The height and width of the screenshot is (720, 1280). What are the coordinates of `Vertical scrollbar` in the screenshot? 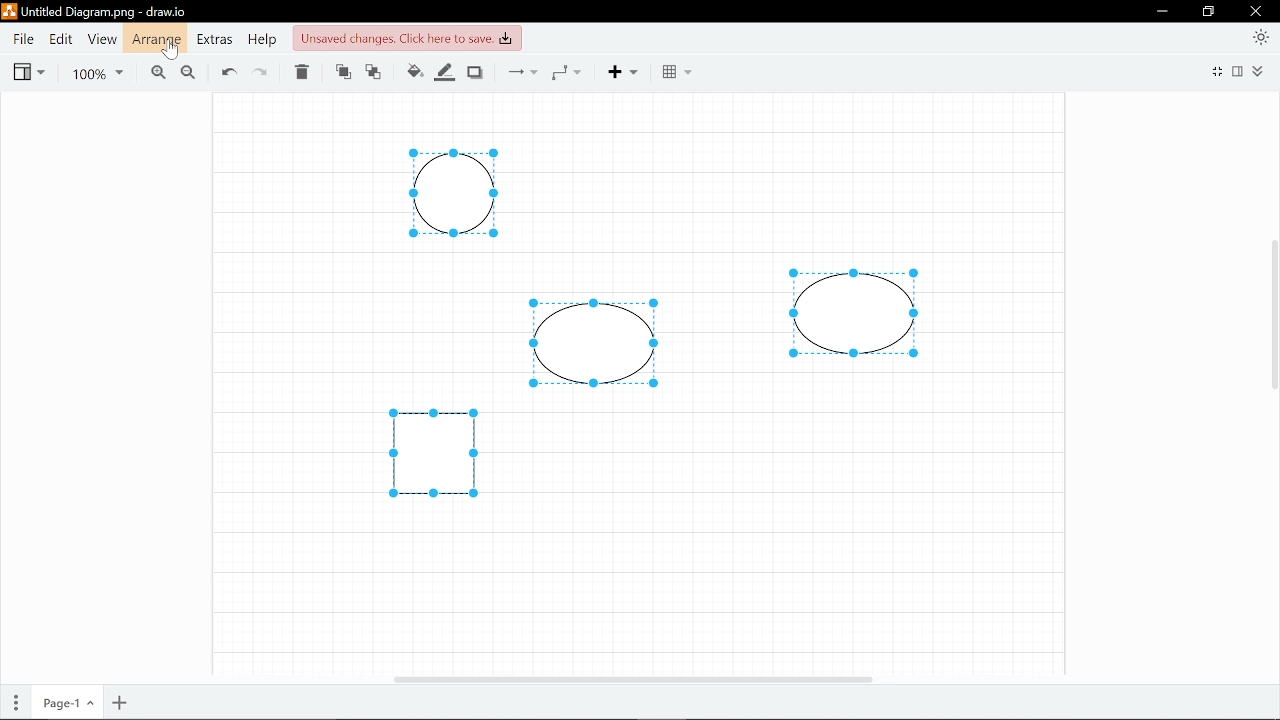 It's located at (1272, 319).